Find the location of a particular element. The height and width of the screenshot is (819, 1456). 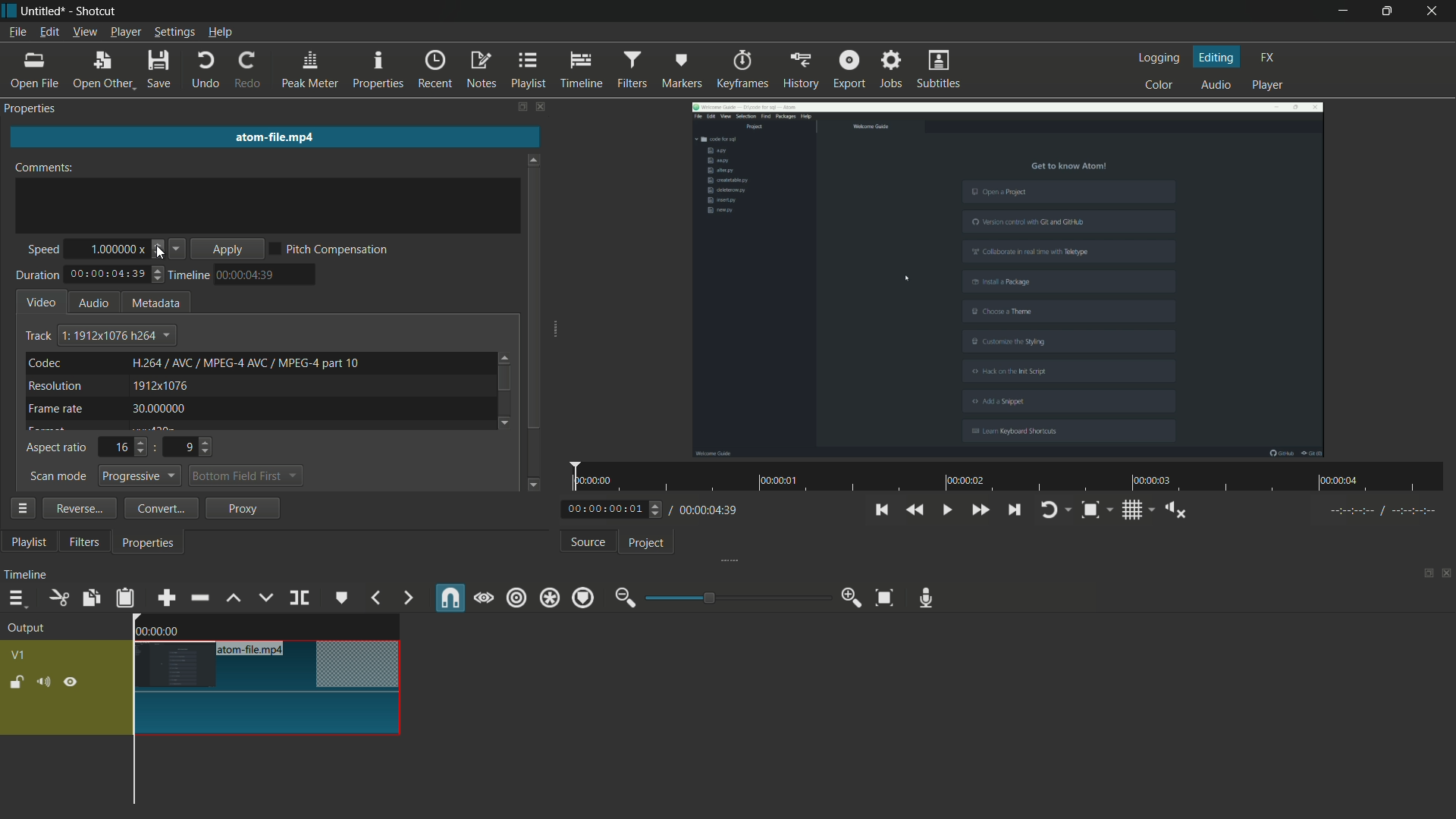

filters is located at coordinates (85, 542).